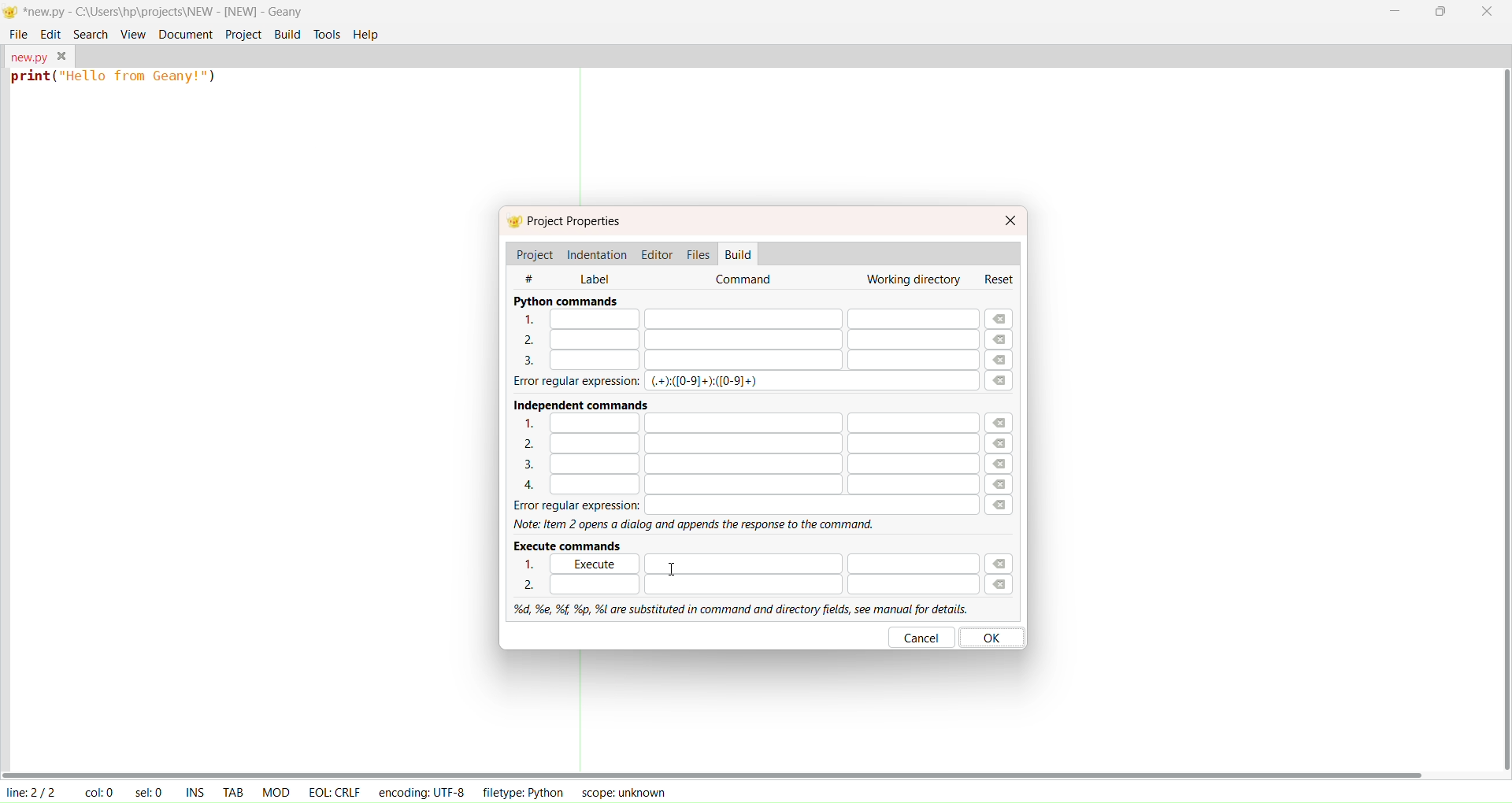 This screenshot has height=803, width=1512. What do you see at coordinates (276, 790) in the screenshot?
I see `MOD` at bounding box center [276, 790].